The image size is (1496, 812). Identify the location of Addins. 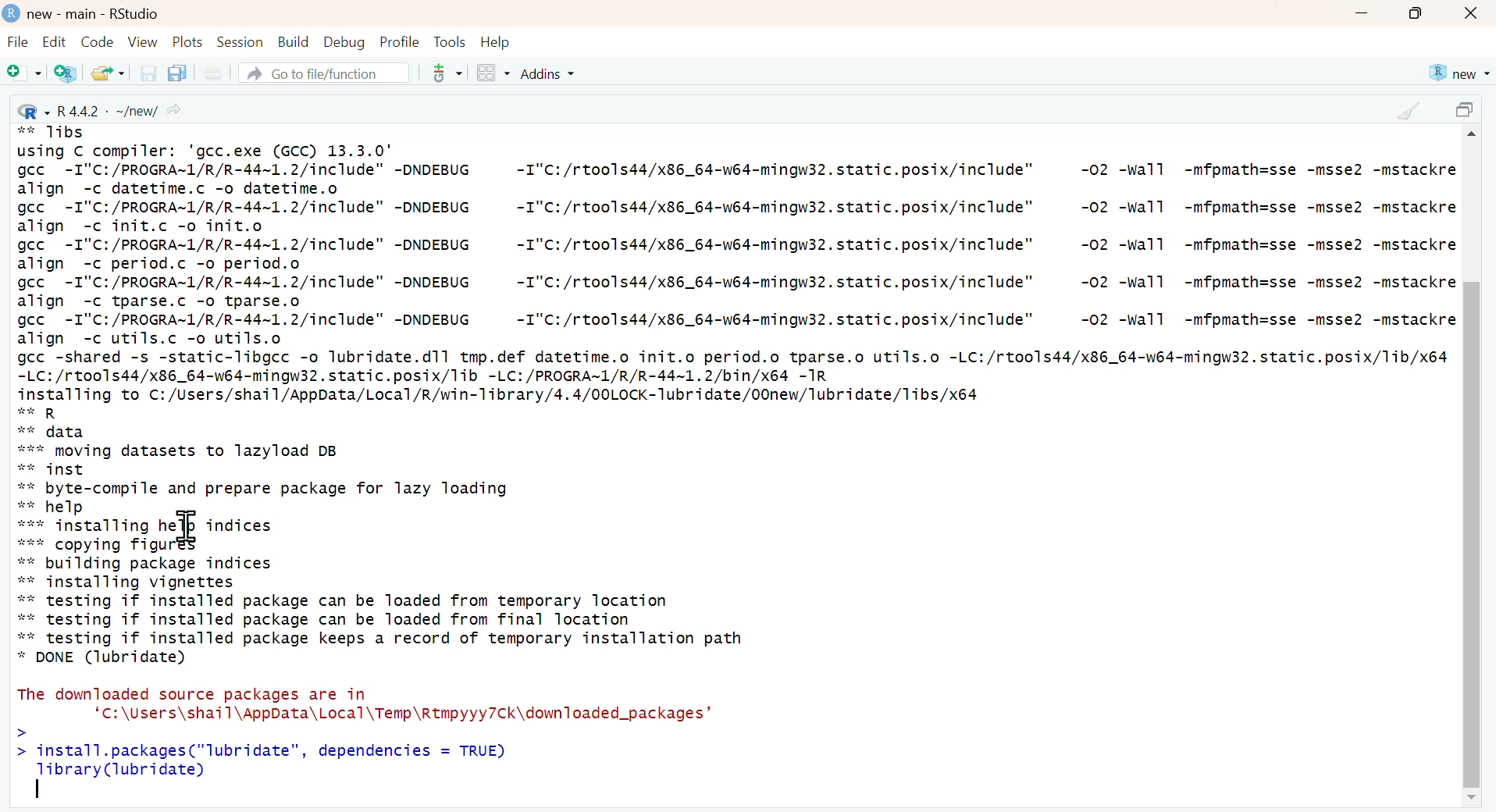
(550, 73).